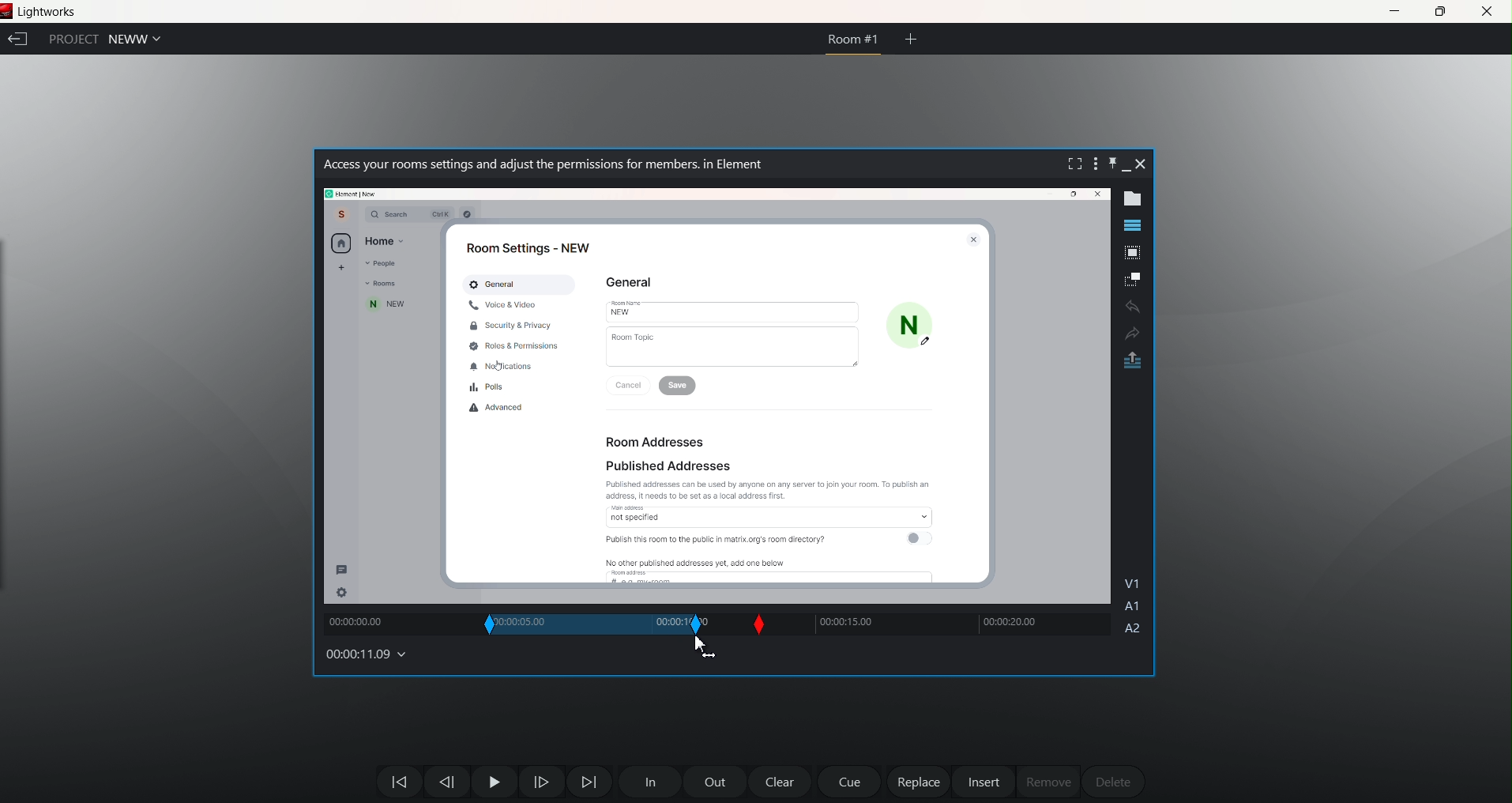 This screenshot has height=803, width=1512. Describe the element at coordinates (1145, 164) in the screenshot. I see `close` at that location.